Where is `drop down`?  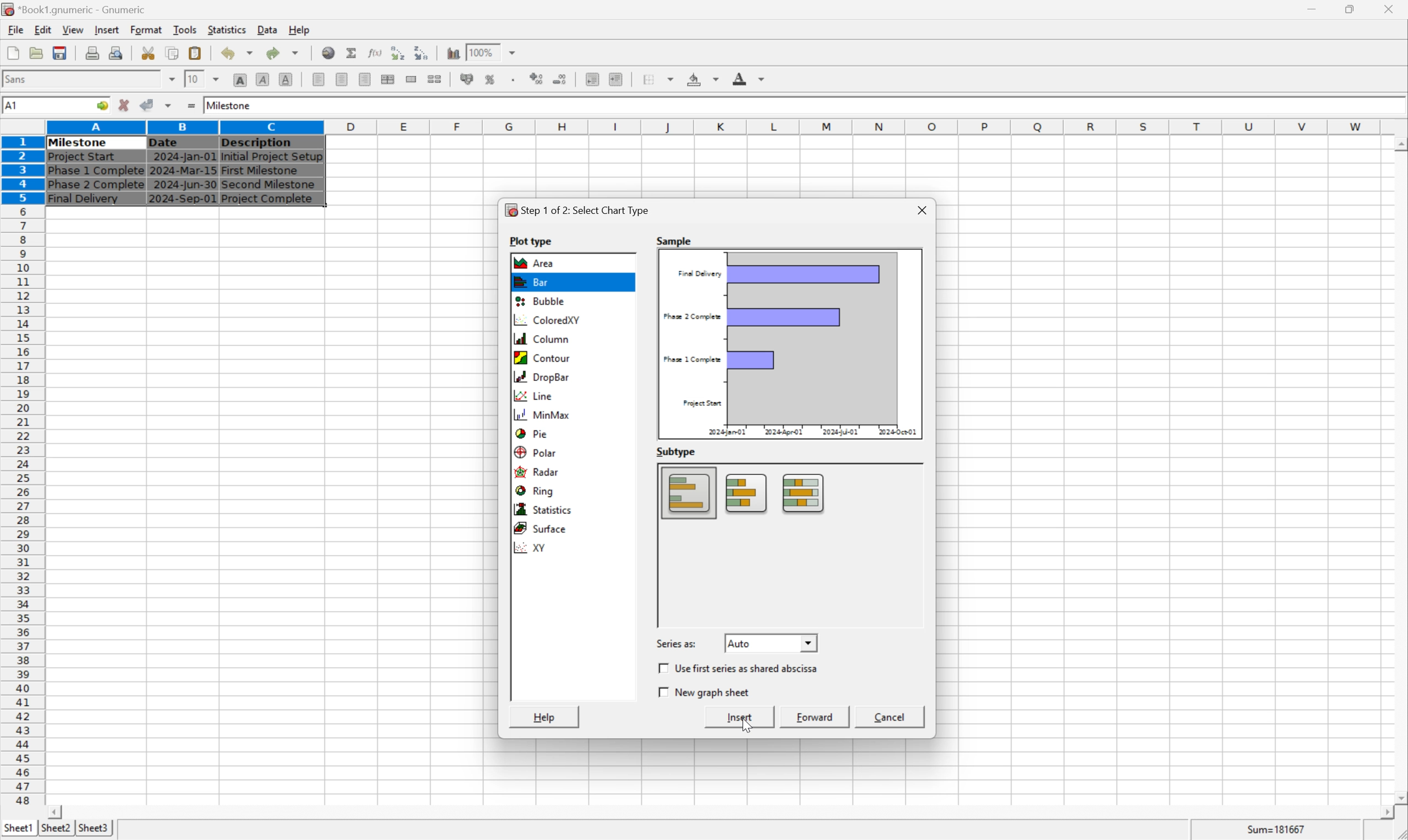 drop down is located at coordinates (513, 52).